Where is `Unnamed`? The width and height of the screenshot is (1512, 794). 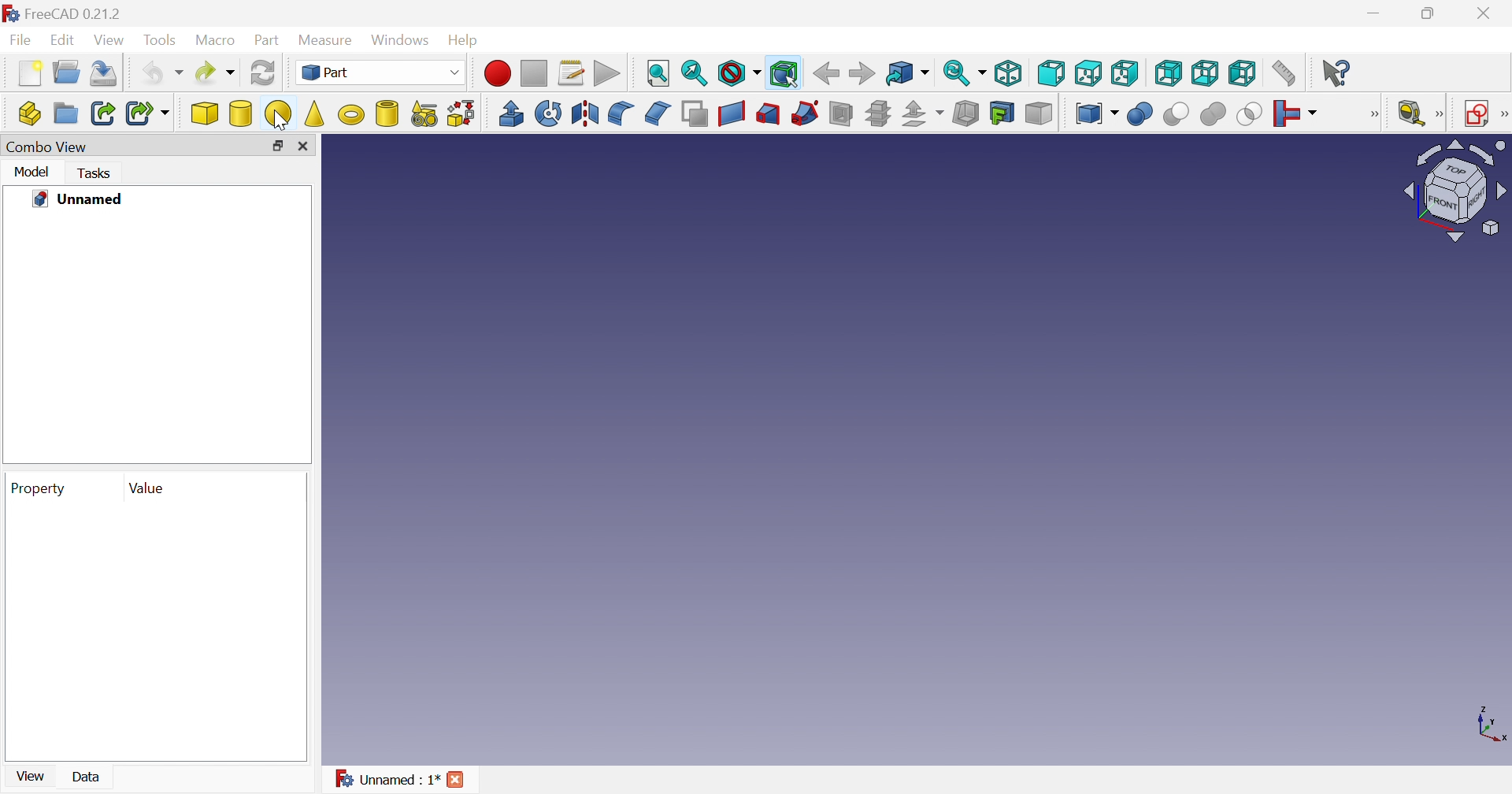
Unnamed is located at coordinates (83, 198).